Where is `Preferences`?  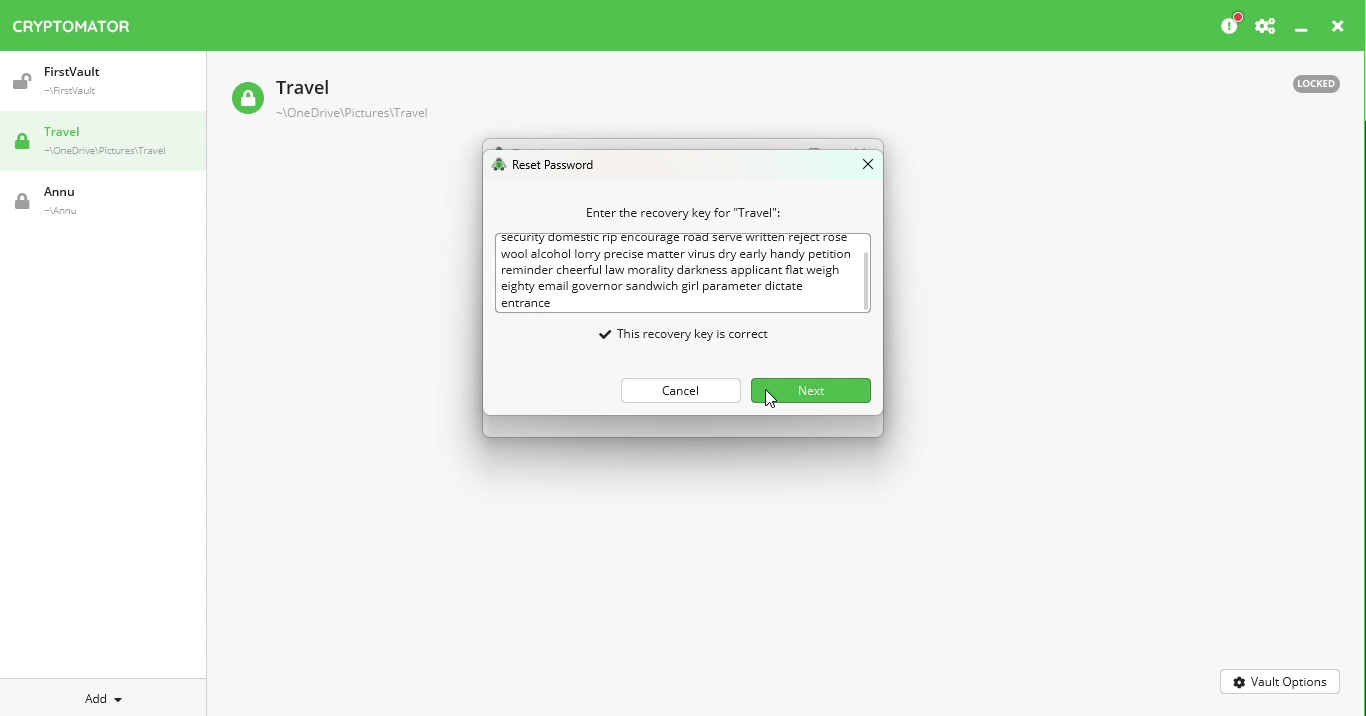 Preferences is located at coordinates (1265, 27).